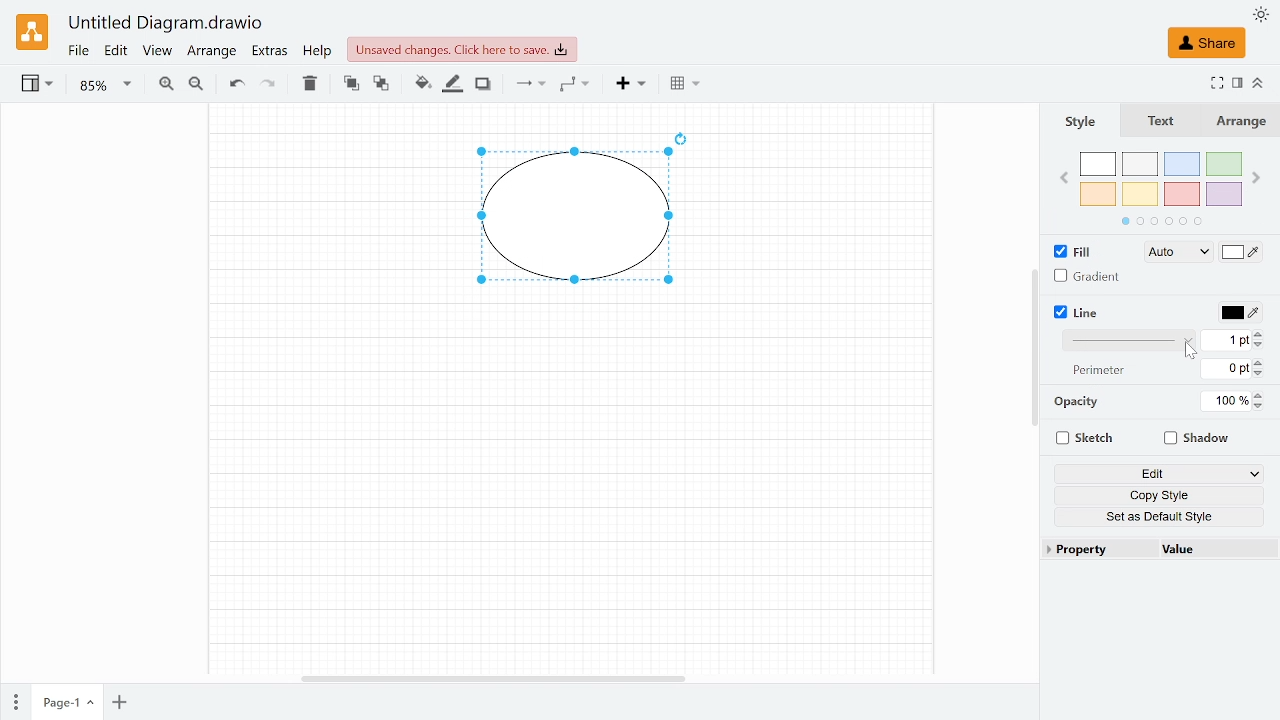  I want to click on Current line width, so click(1224, 342).